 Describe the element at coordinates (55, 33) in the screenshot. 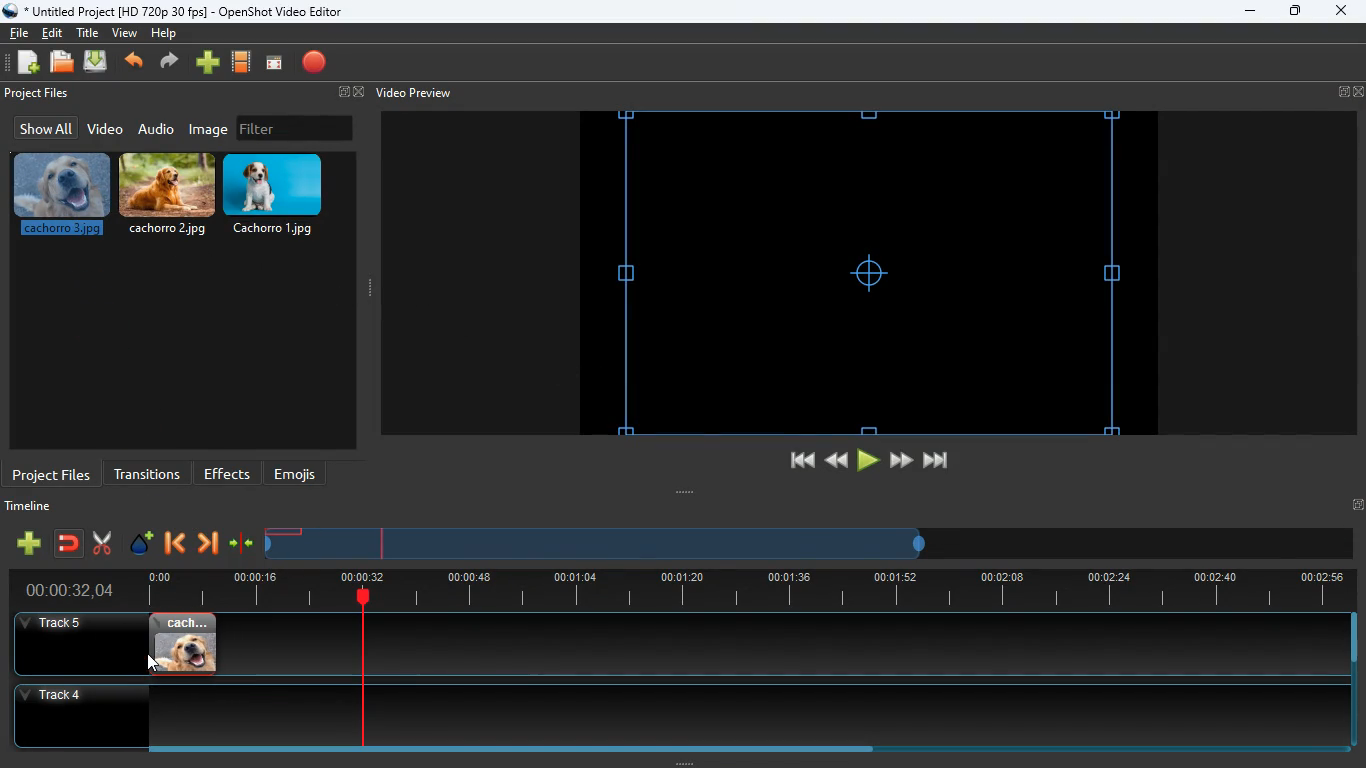

I see `edit` at that location.